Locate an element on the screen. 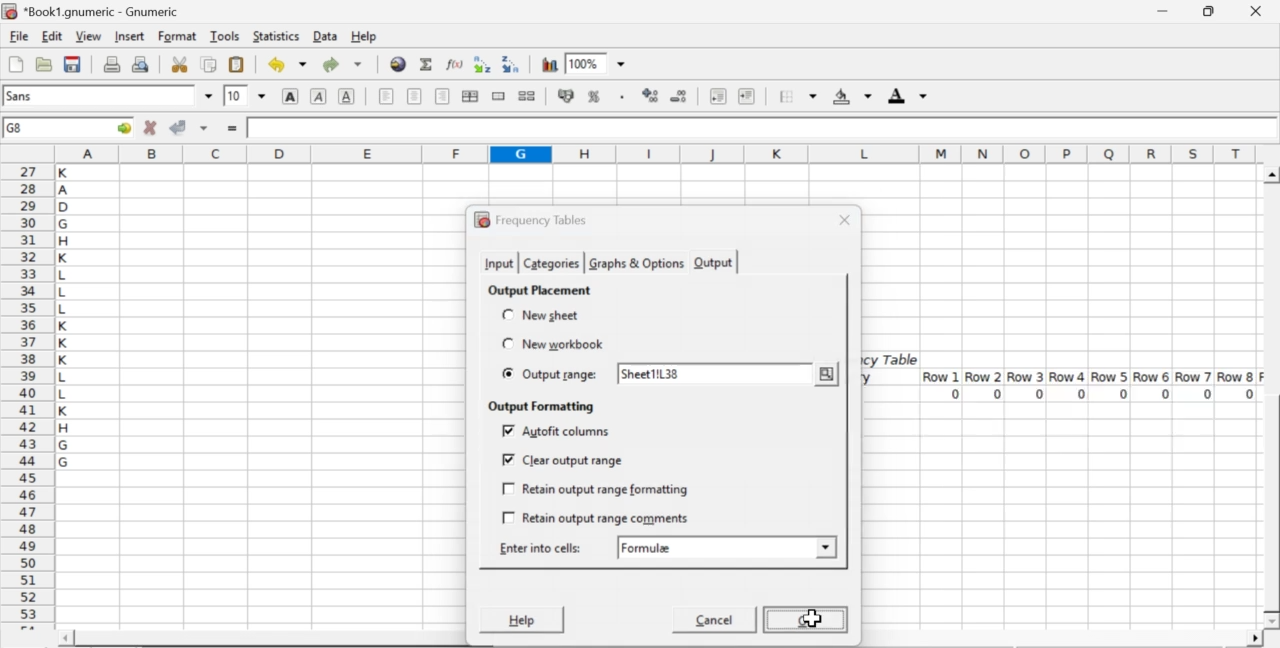 This screenshot has height=648, width=1280. italic is located at coordinates (320, 95).